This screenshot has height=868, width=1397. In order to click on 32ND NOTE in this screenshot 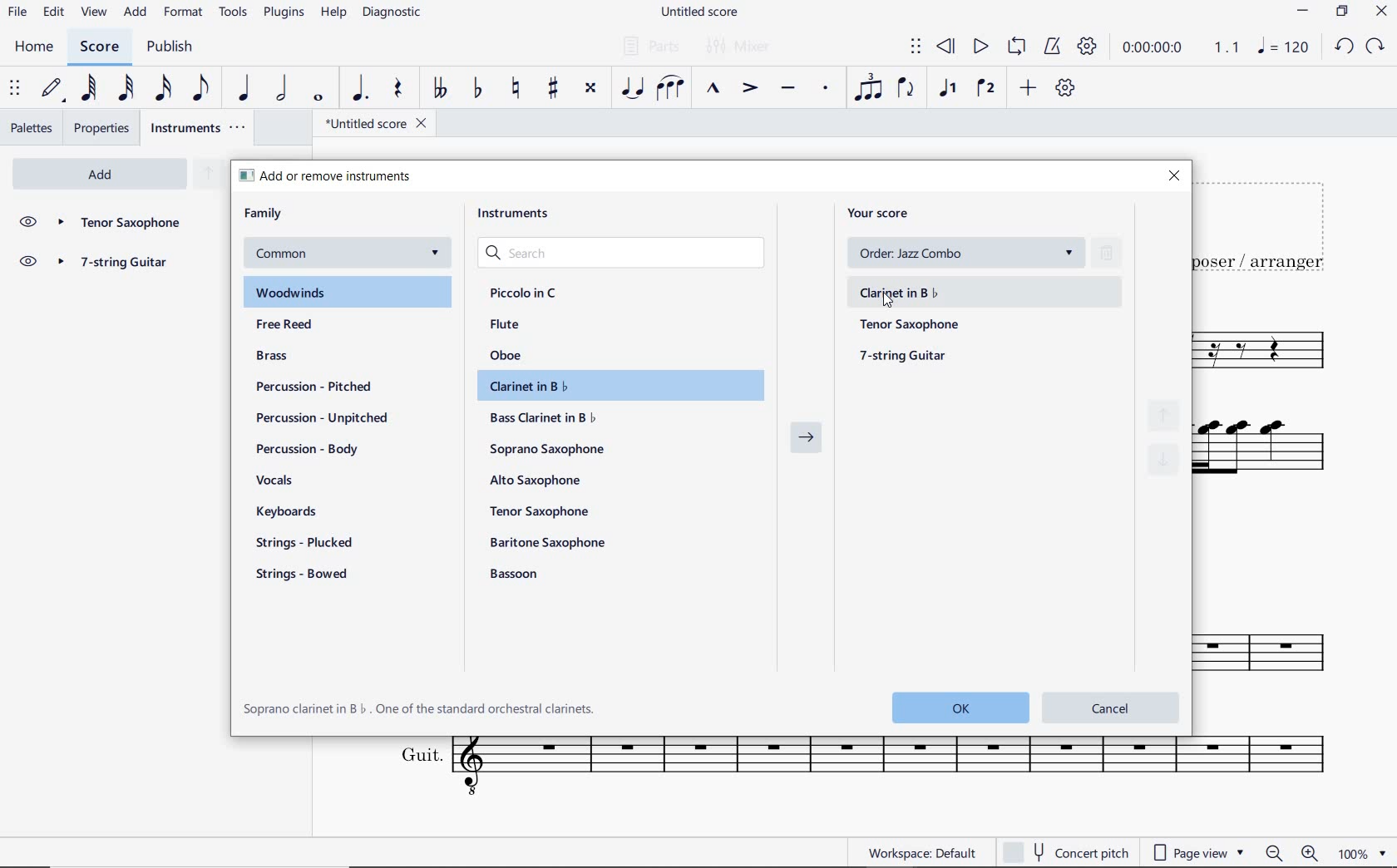, I will do `click(128, 88)`.